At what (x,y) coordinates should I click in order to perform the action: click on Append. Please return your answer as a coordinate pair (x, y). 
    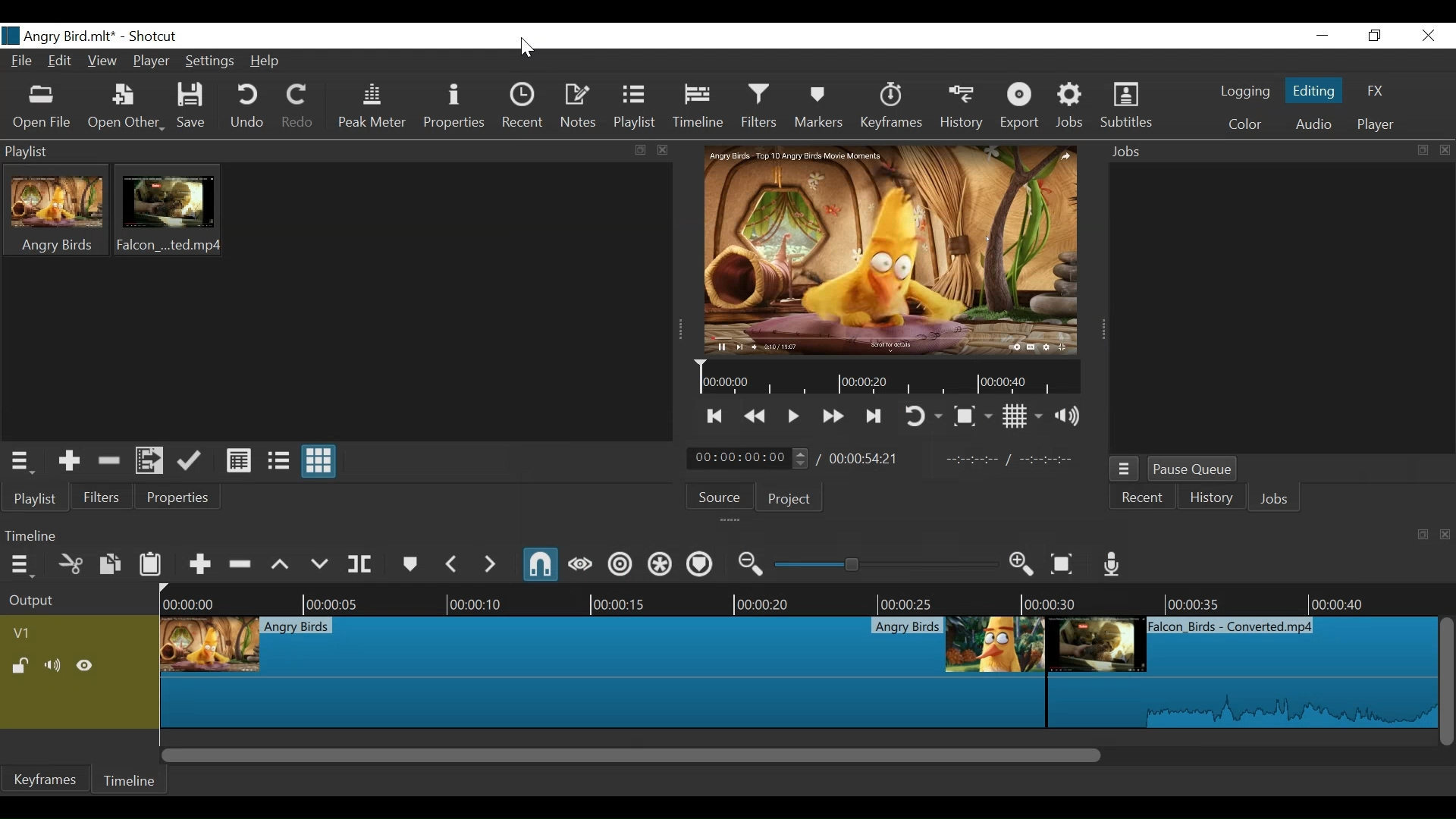
    Looking at the image, I should click on (199, 566).